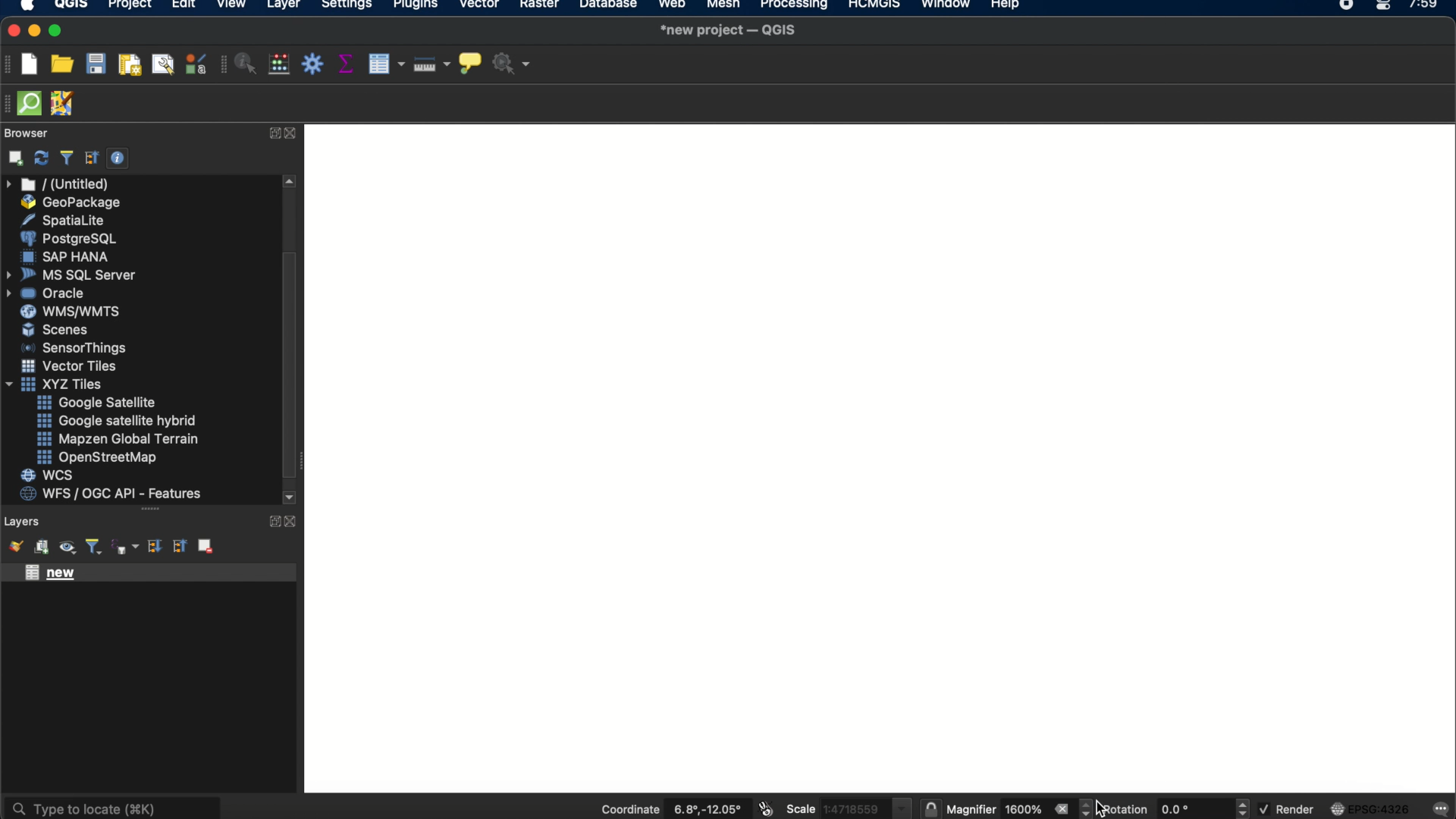  Describe the element at coordinates (152, 547) in the screenshot. I see `expand all` at that location.